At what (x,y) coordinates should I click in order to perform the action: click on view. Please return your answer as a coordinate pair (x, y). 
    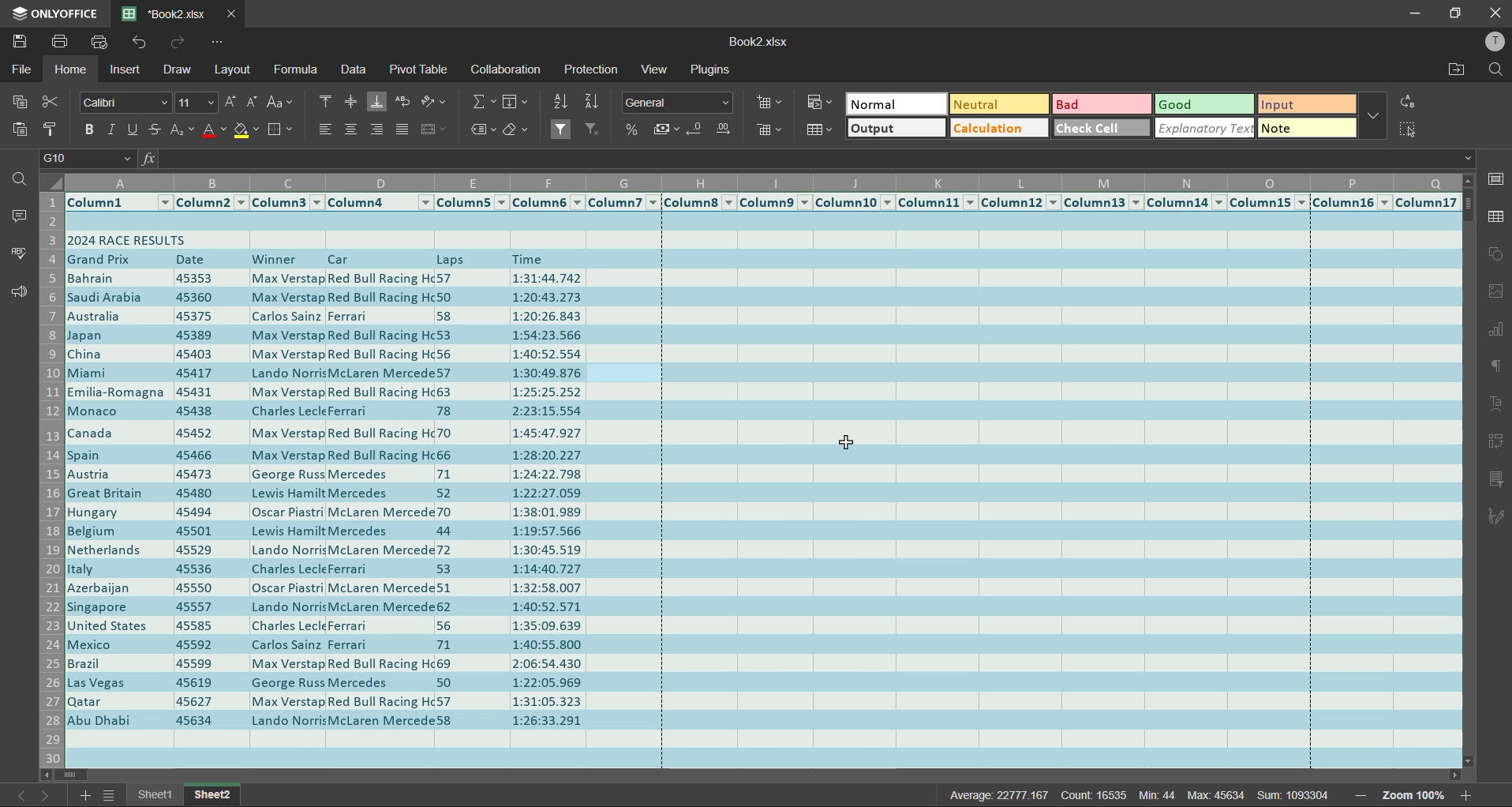
    Looking at the image, I should click on (659, 71).